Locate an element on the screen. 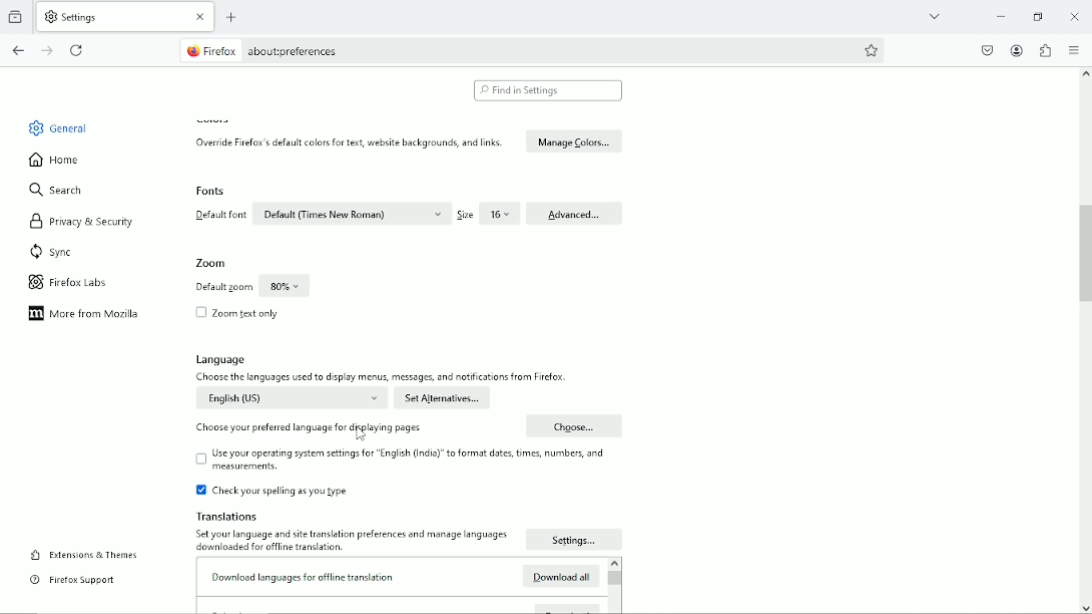 The width and height of the screenshot is (1092, 614). Advanced... is located at coordinates (574, 215).